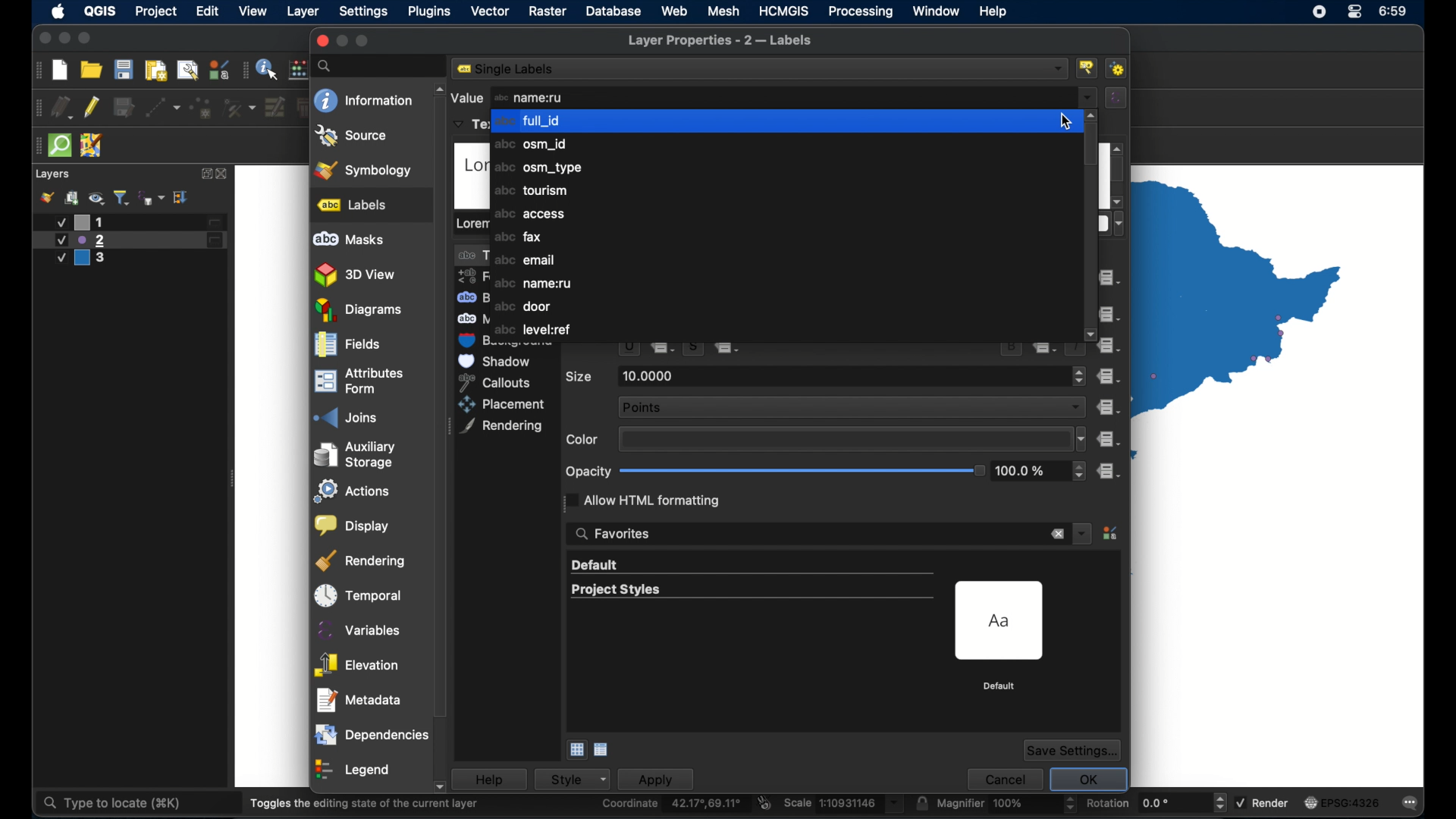 This screenshot has height=819, width=1456. What do you see at coordinates (1088, 776) in the screenshot?
I see `ok` at bounding box center [1088, 776].